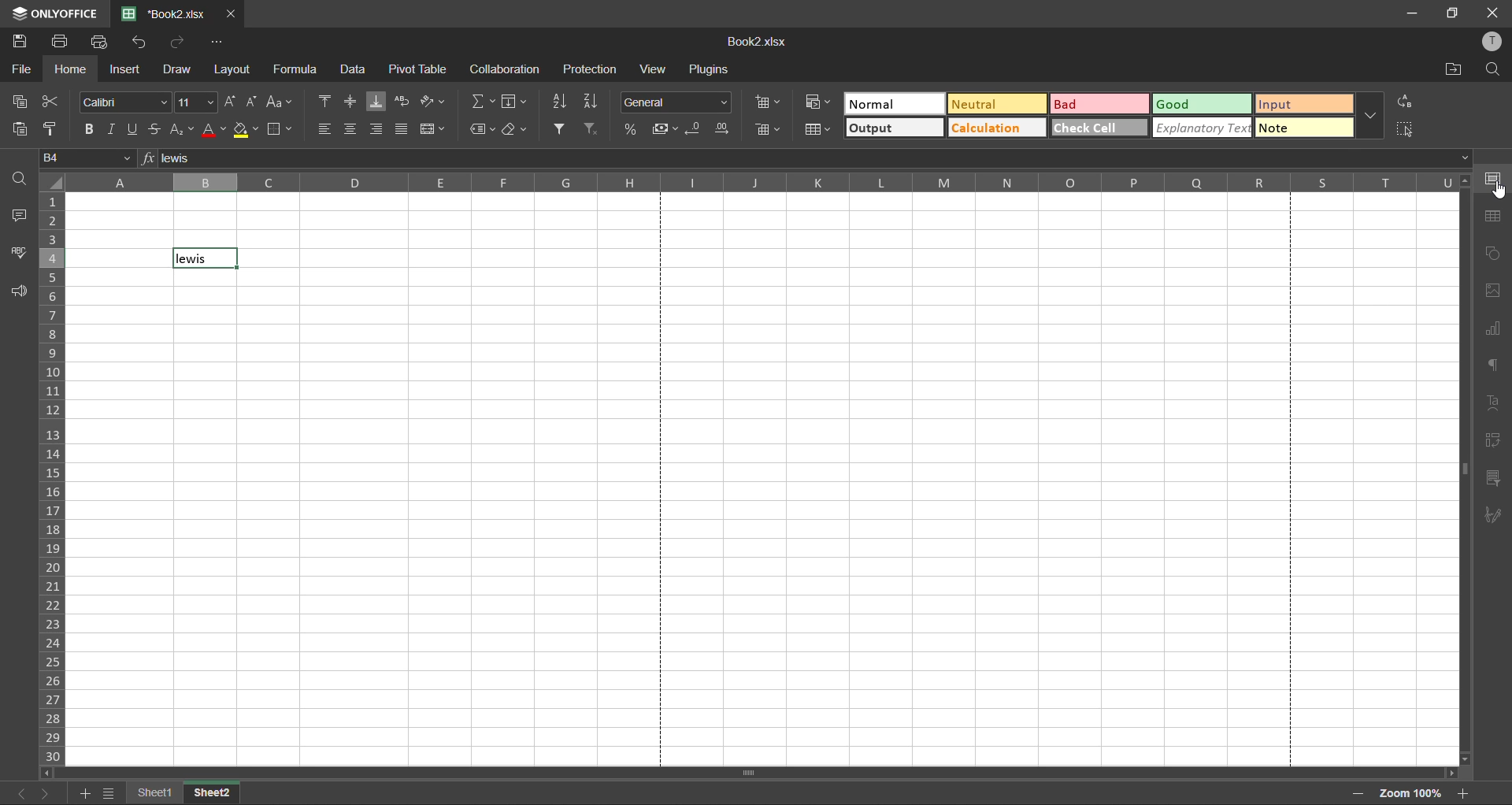 This screenshot has width=1512, height=805. What do you see at coordinates (1467, 792) in the screenshot?
I see `zoom in` at bounding box center [1467, 792].